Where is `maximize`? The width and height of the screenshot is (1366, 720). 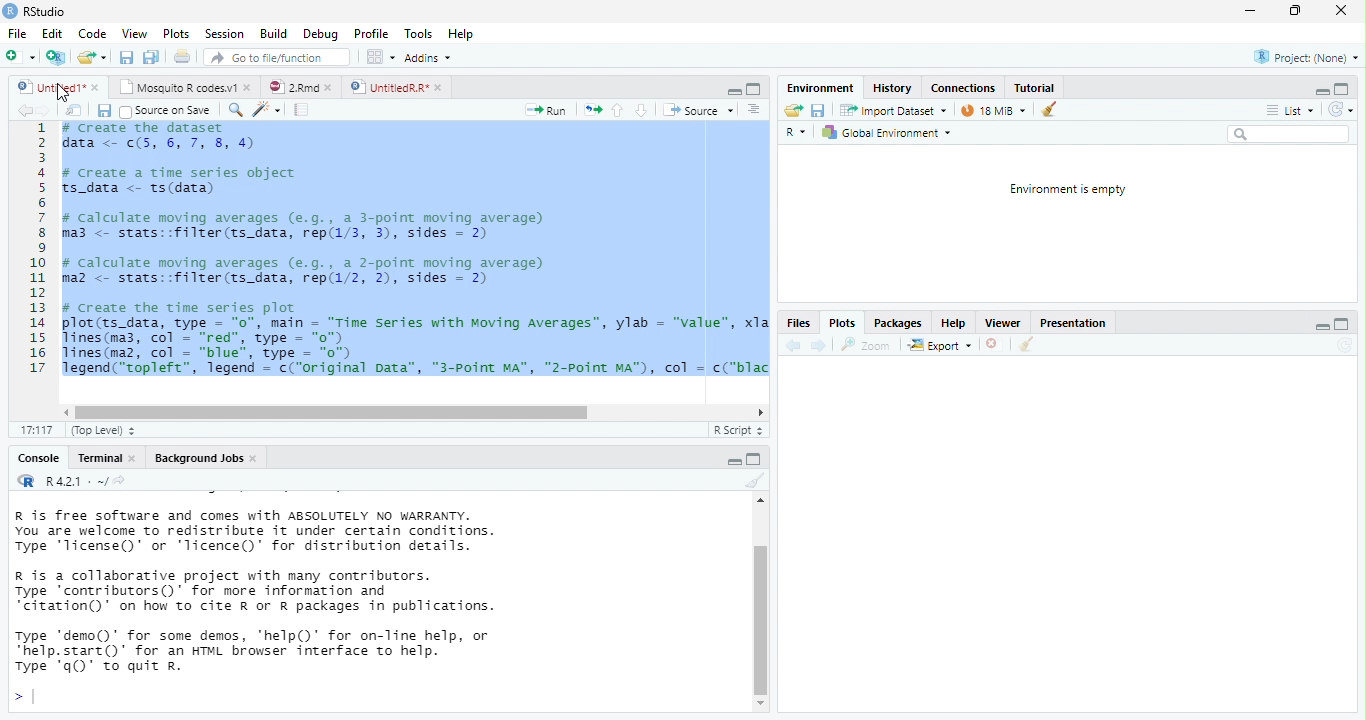 maximize is located at coordinates (754, 89).